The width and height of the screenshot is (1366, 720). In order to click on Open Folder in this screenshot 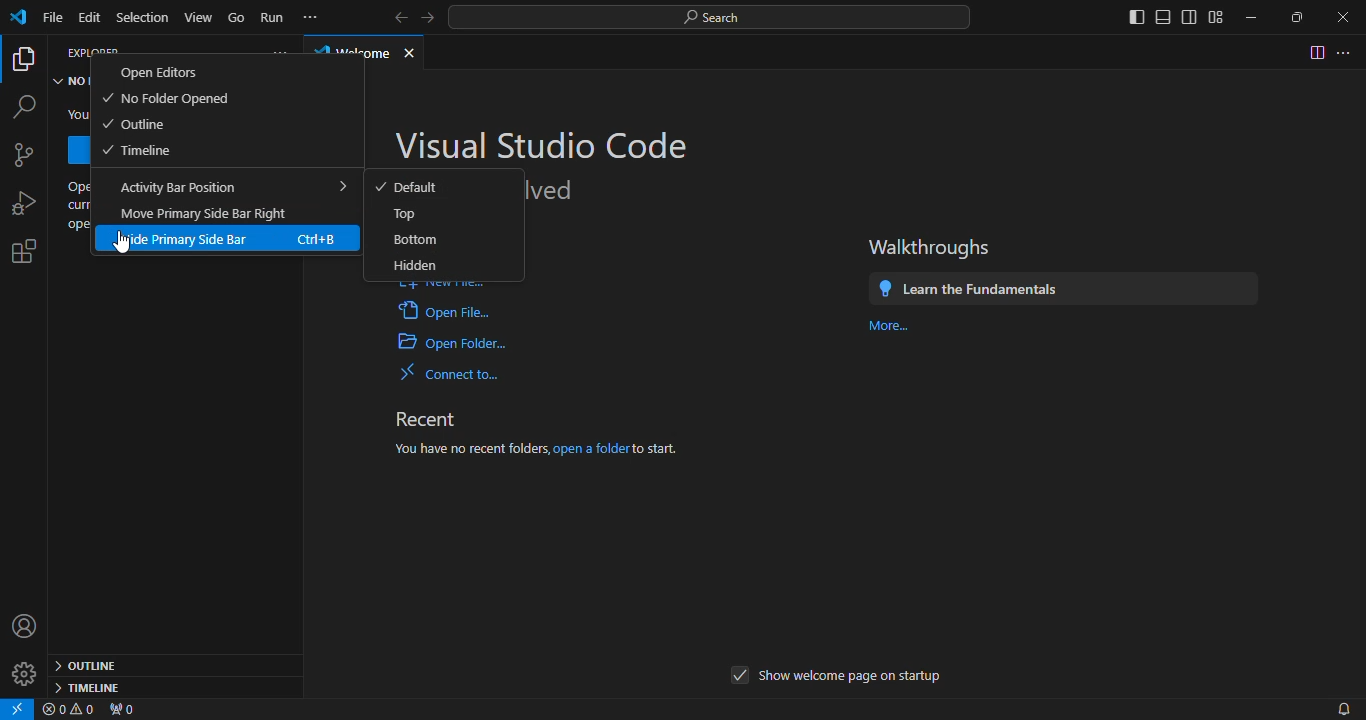, I will do `click(75, 150)`.